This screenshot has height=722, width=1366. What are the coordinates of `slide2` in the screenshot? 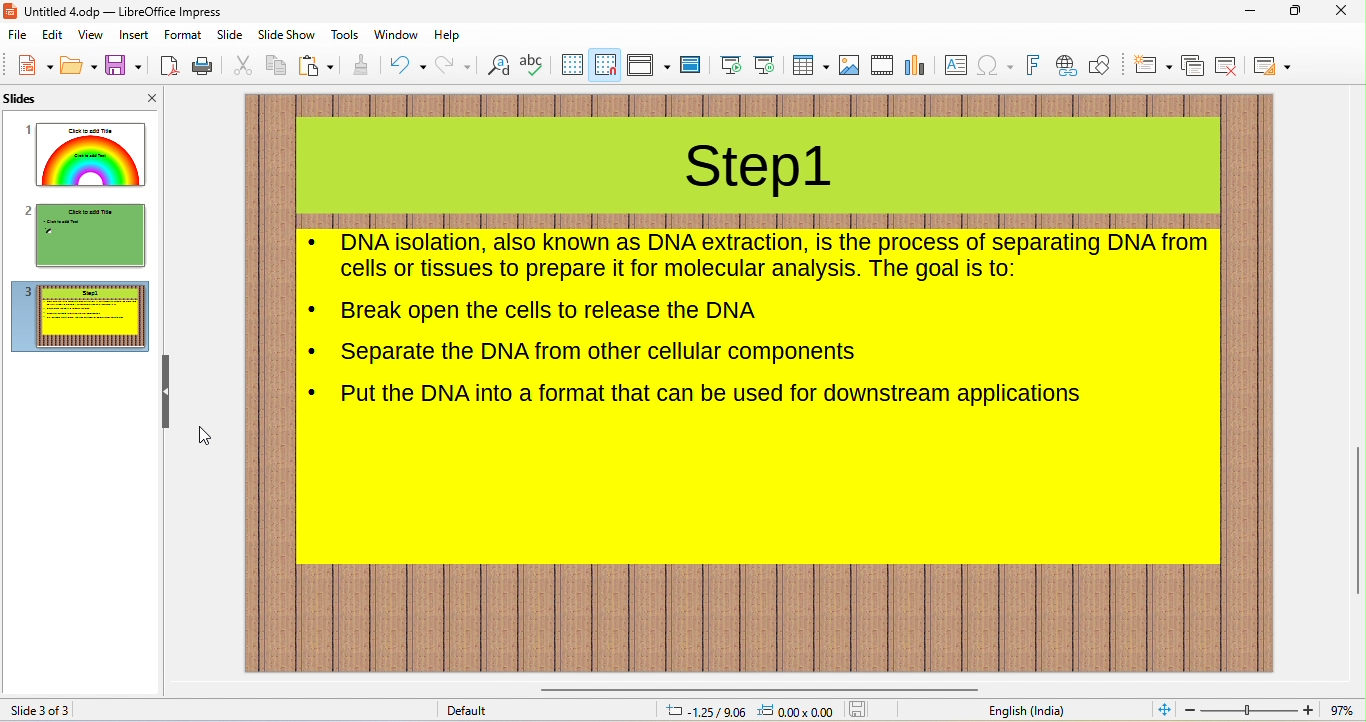 It's located at (86, 236).